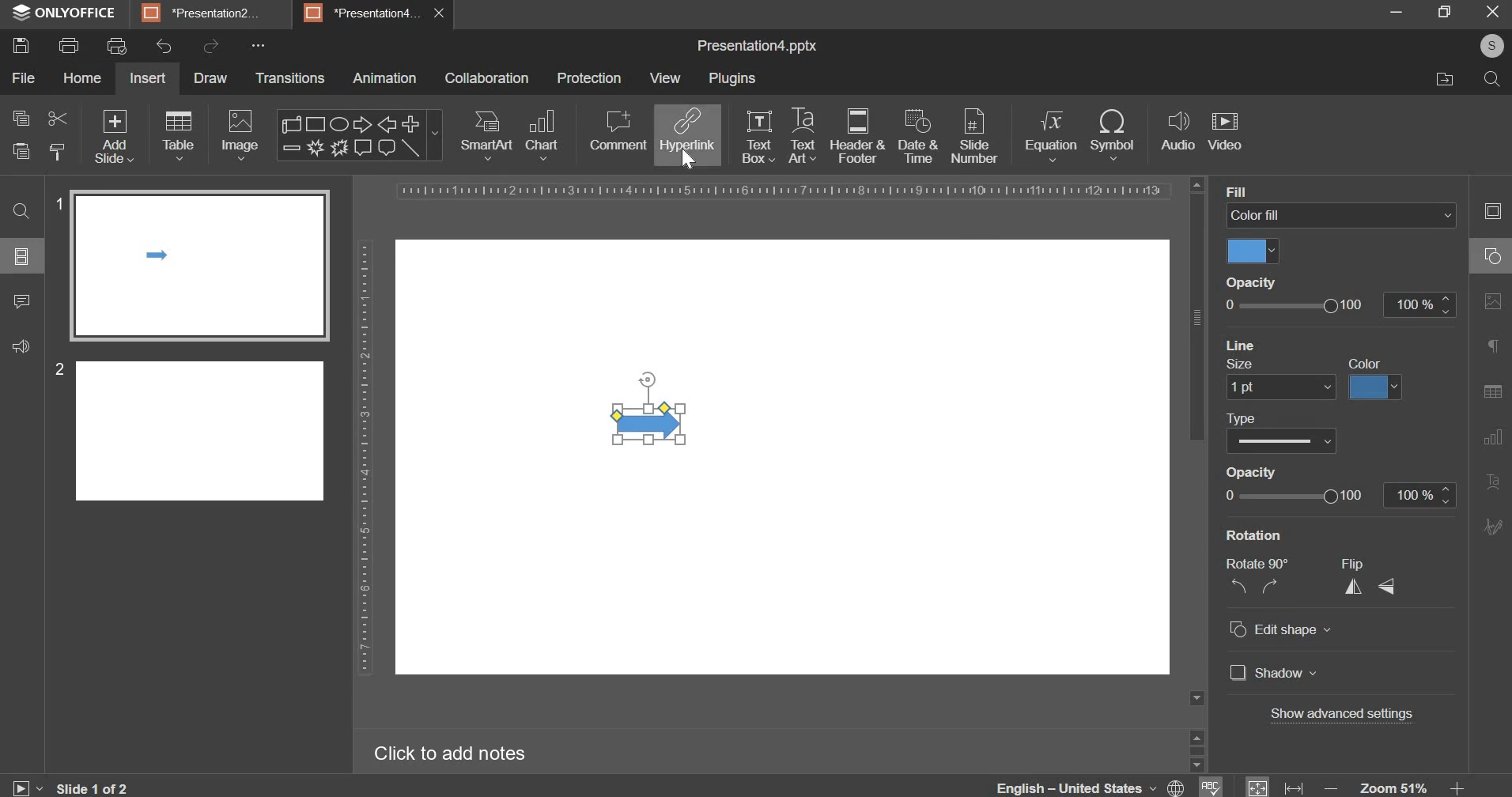  I want to click on copy, so click(21, 117).